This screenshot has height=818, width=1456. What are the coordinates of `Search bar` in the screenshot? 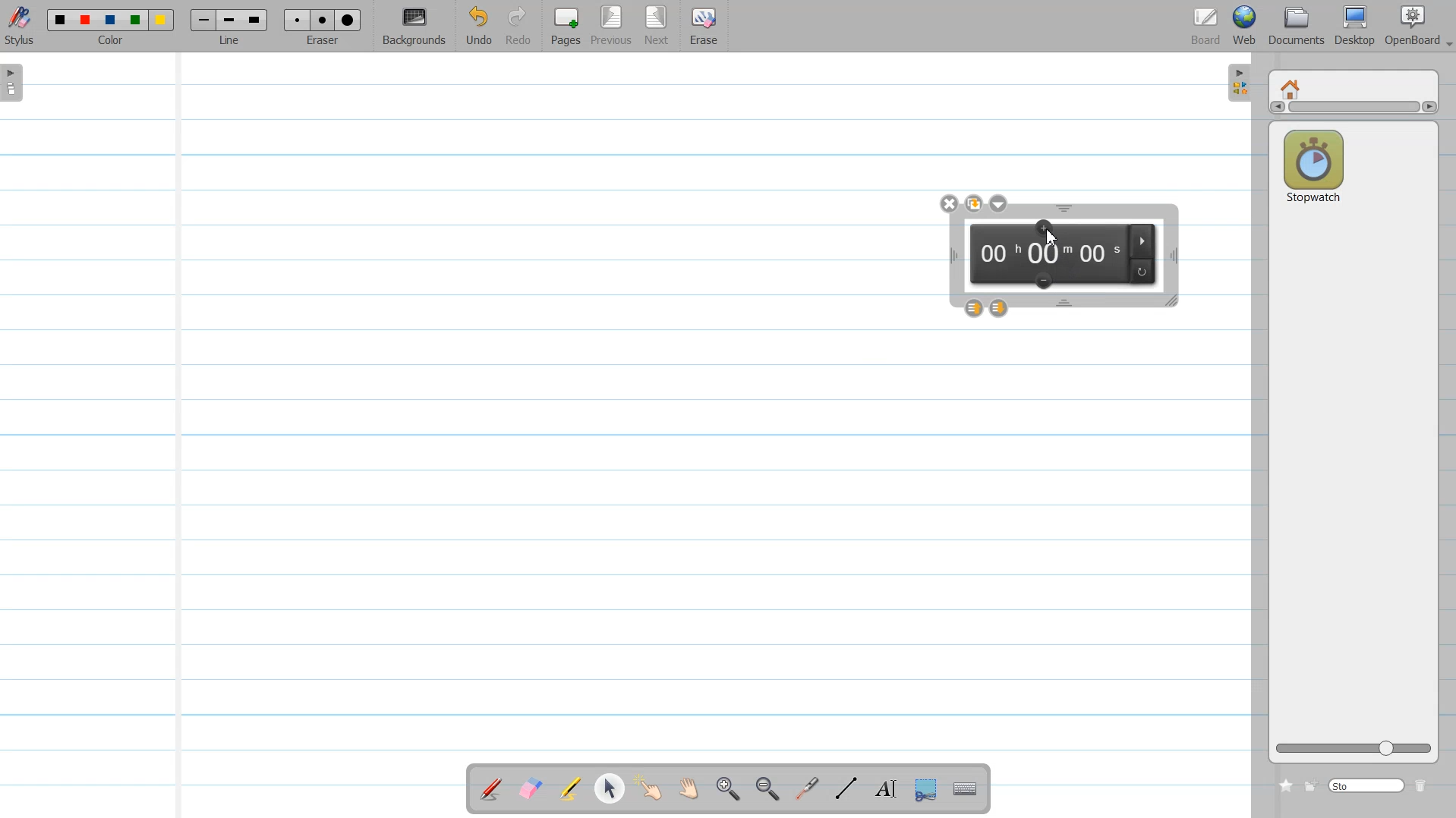 It's located at (1367, 785).